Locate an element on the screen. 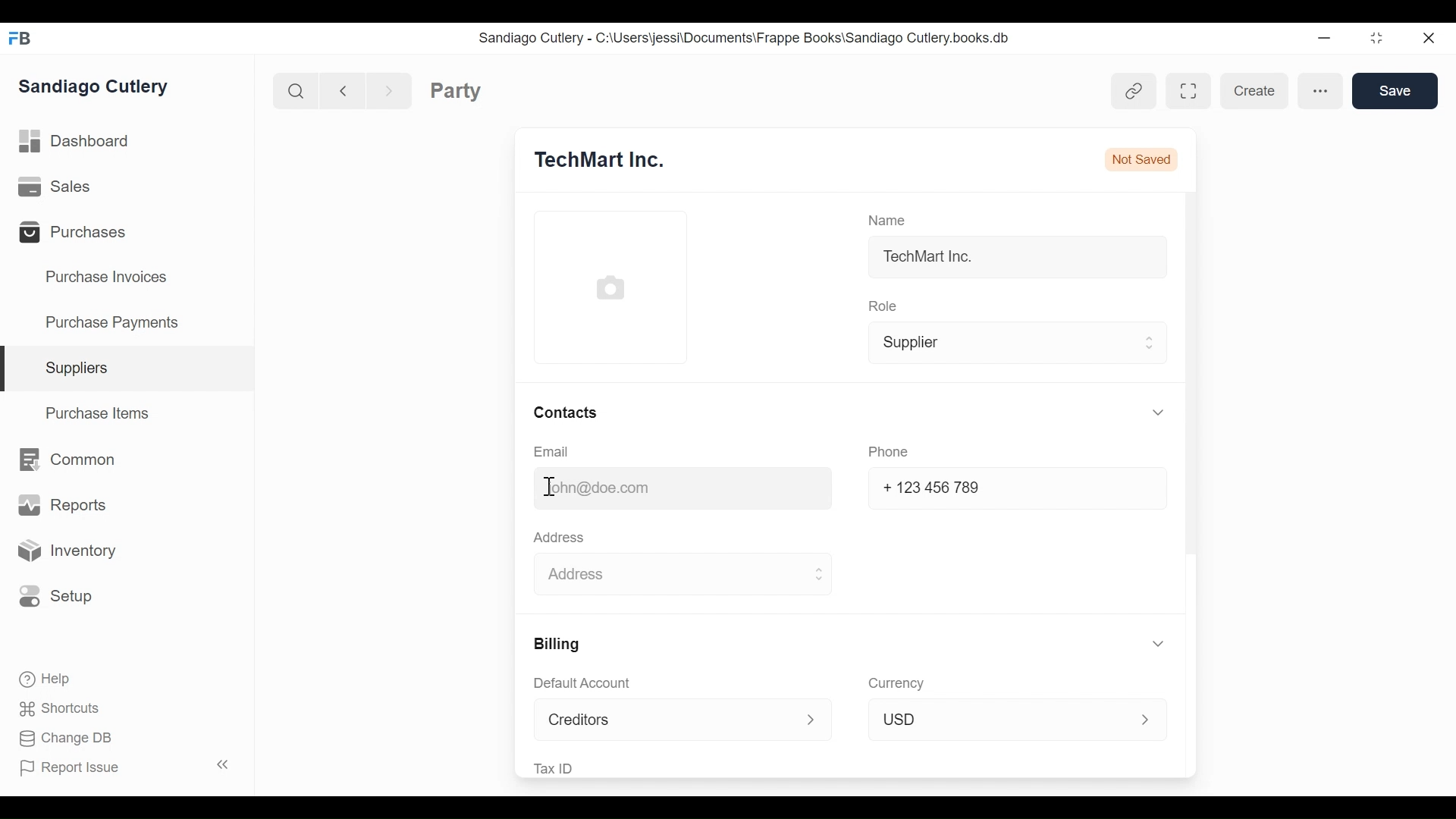 The width and height of the screenshot is (1456, 819). Address is located at coordinates (683, 574).